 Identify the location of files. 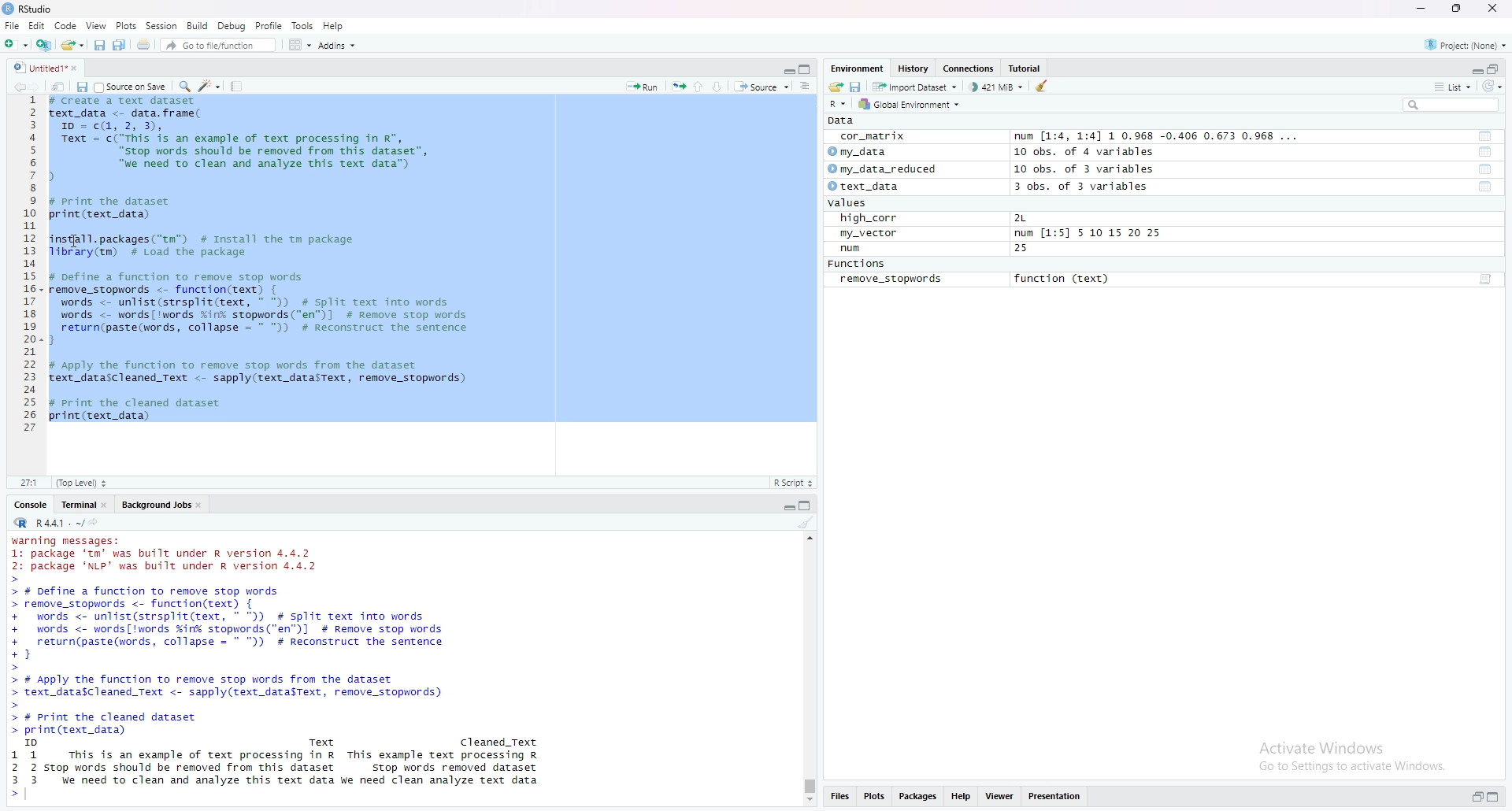
(840, 797).